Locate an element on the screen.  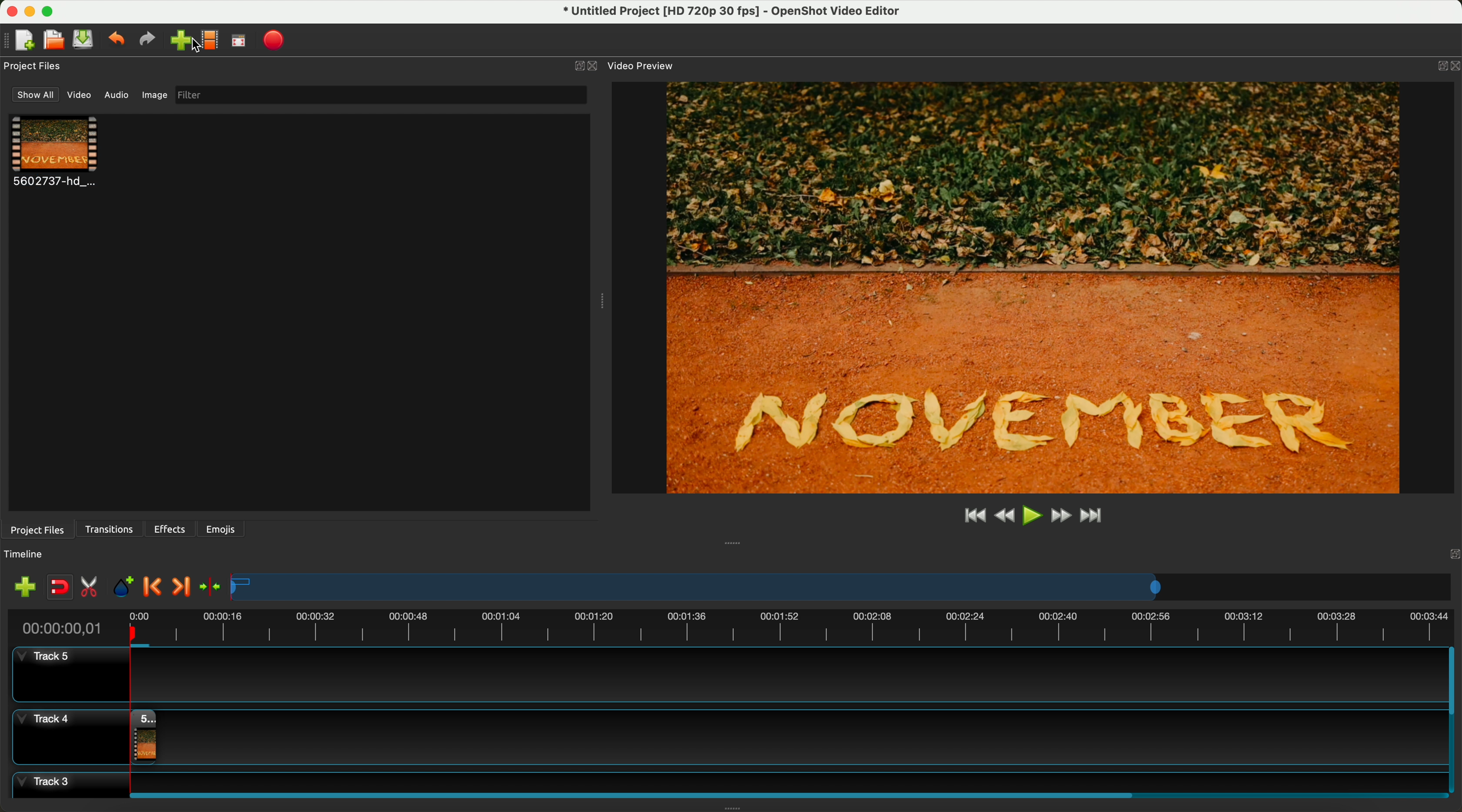
close is located at coordinates (586, 66).